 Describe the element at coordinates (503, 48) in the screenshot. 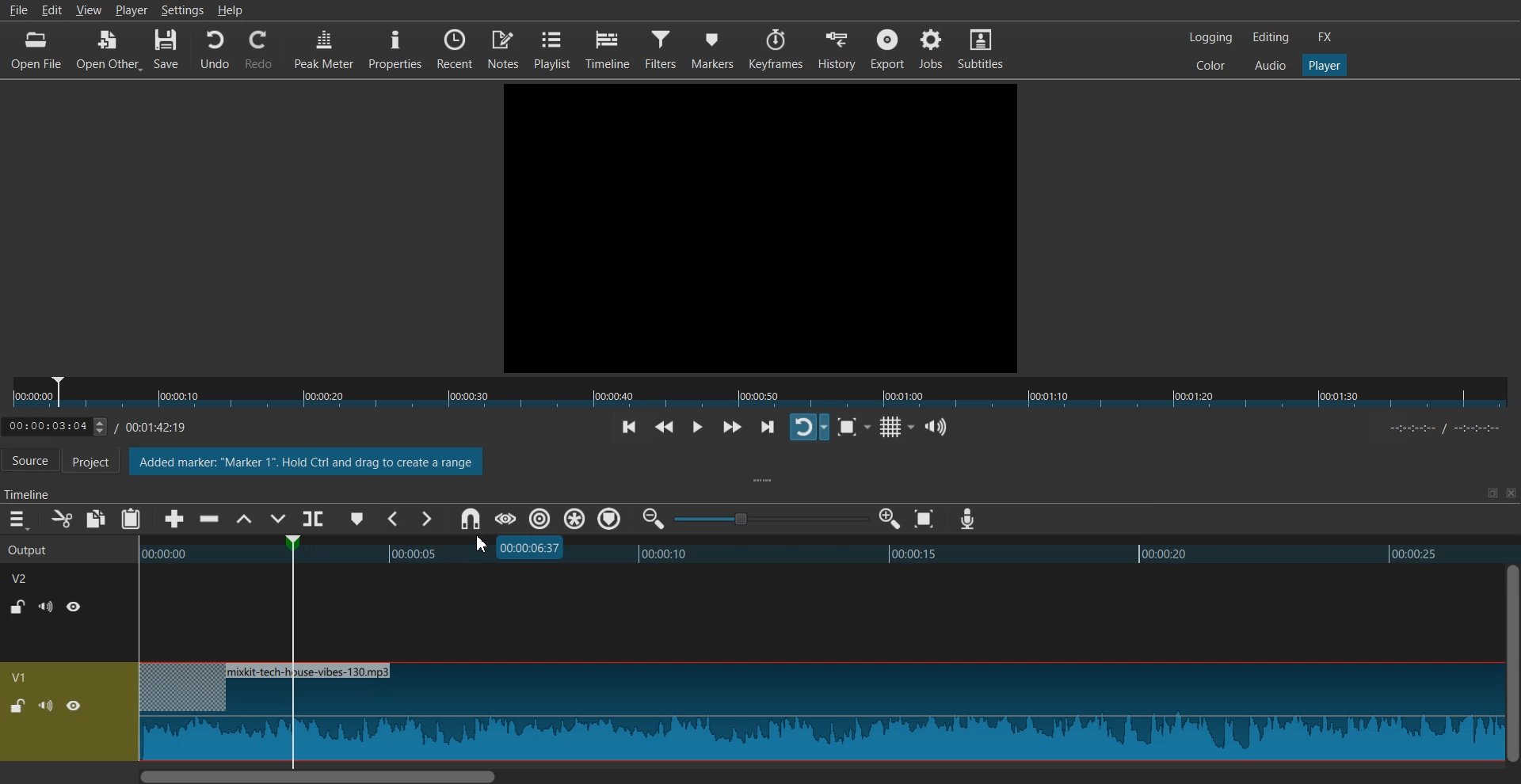

I see `Notes` at that location.